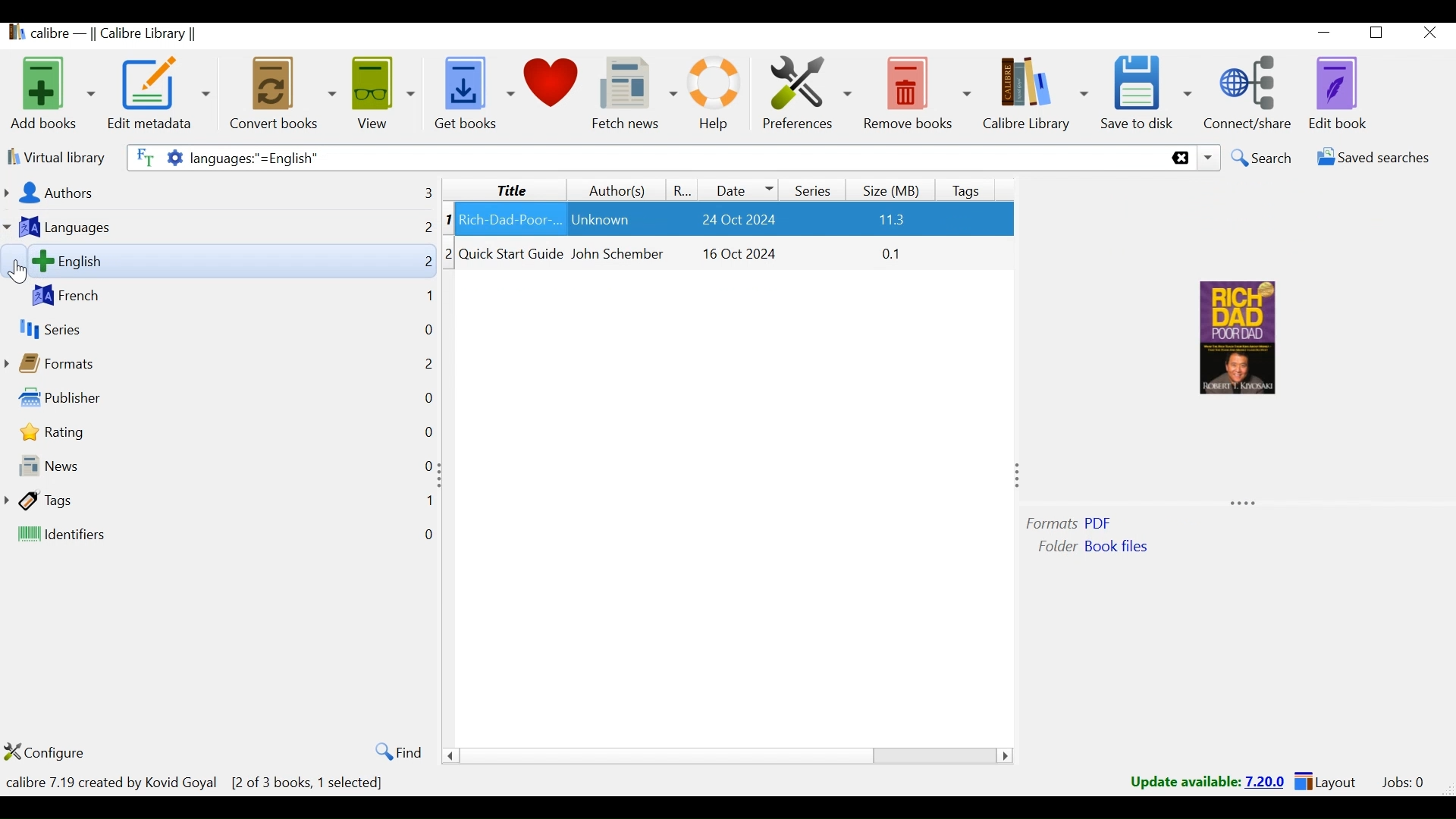 This screenshot has width=1456, height=819. What do you see at coordinates (416, 191) in the screenshot?
I see `3` at bounding box center [416, 191].